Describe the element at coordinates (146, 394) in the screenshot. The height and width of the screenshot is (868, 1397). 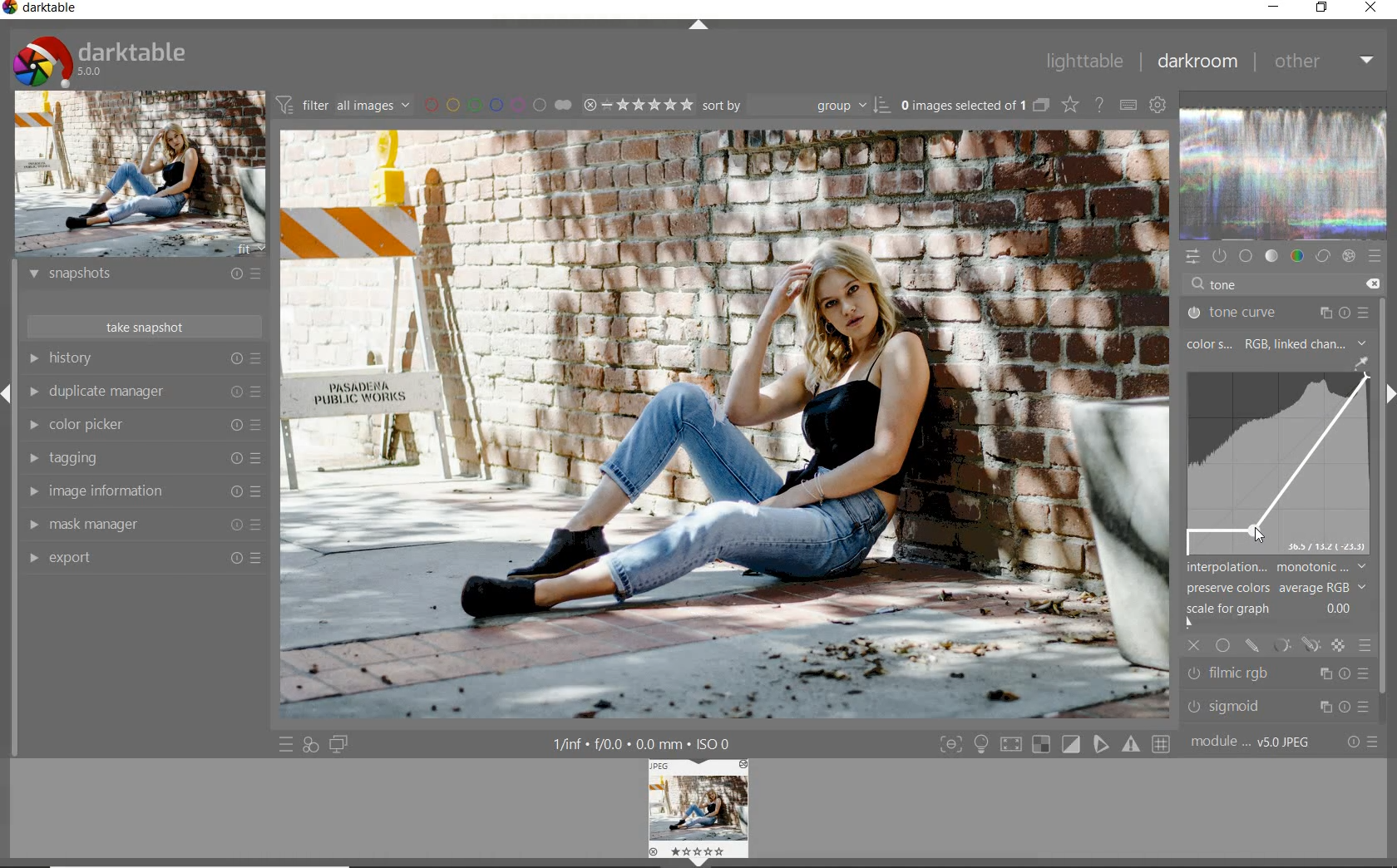
I see `duplicate manager` at that location.